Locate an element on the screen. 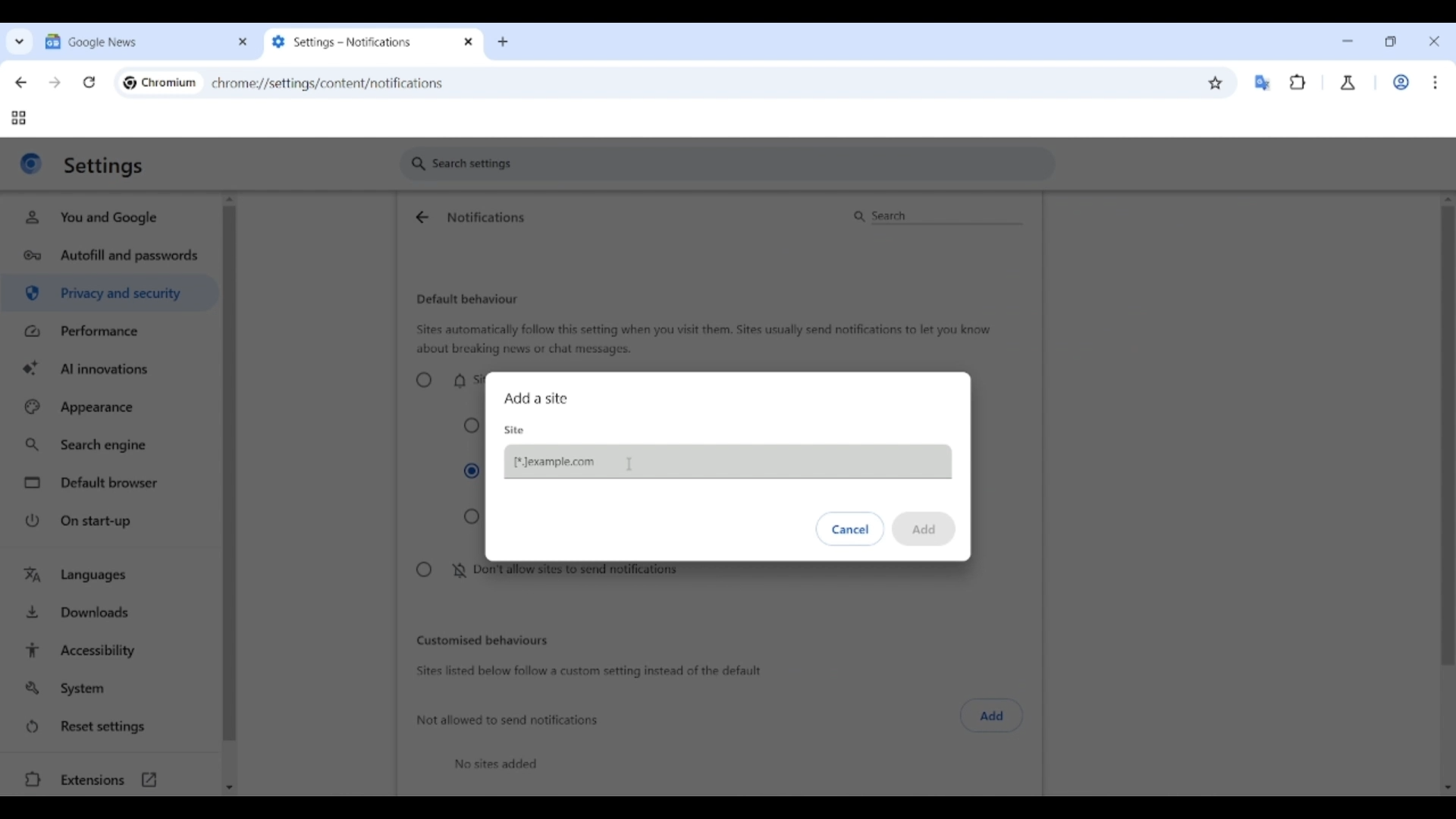  System is located at coordinates (109, 689).